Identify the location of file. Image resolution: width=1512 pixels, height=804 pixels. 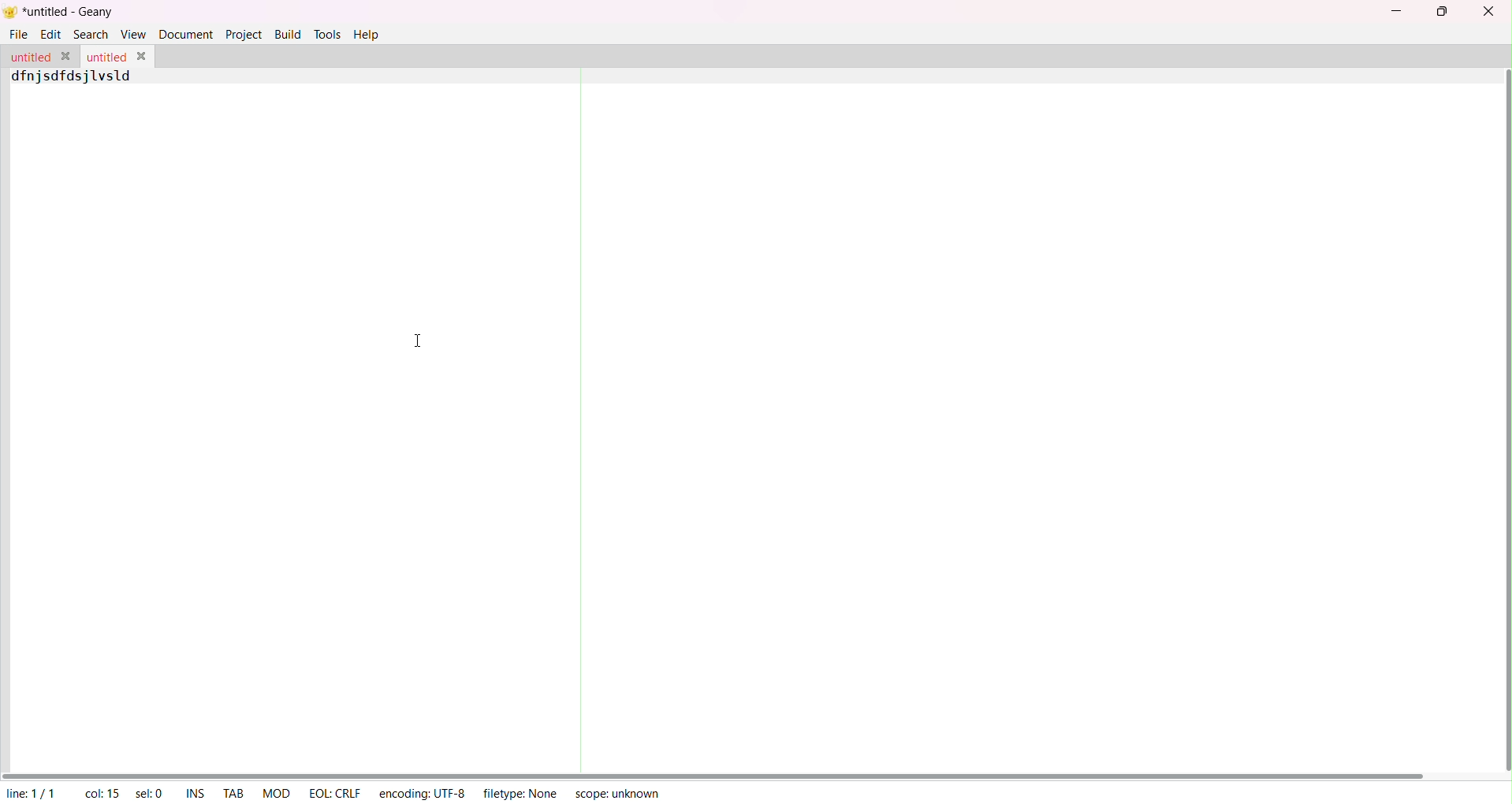
(20, 34).